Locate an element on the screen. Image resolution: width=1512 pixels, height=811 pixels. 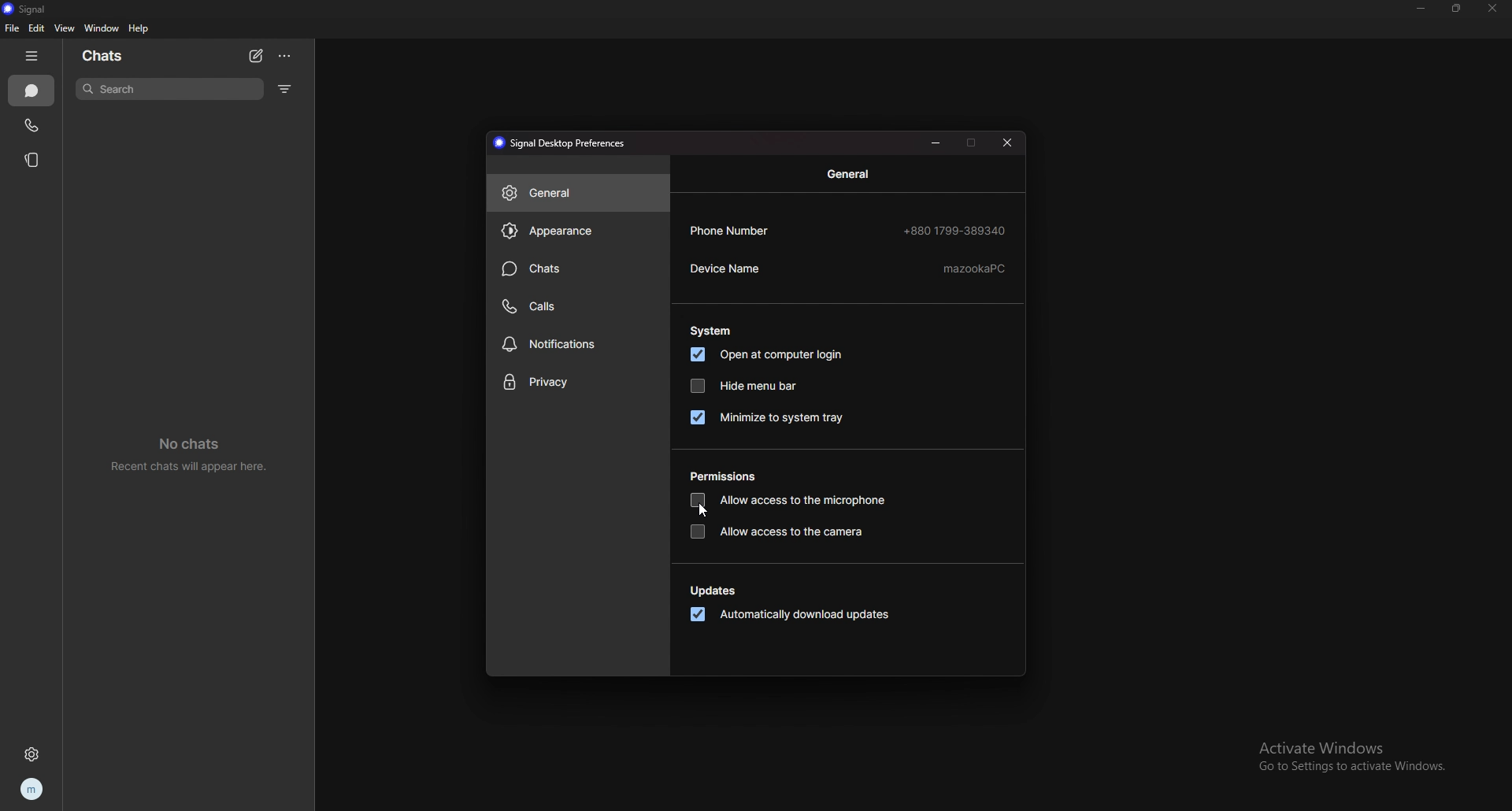
search is located at coordinates (172, 89).